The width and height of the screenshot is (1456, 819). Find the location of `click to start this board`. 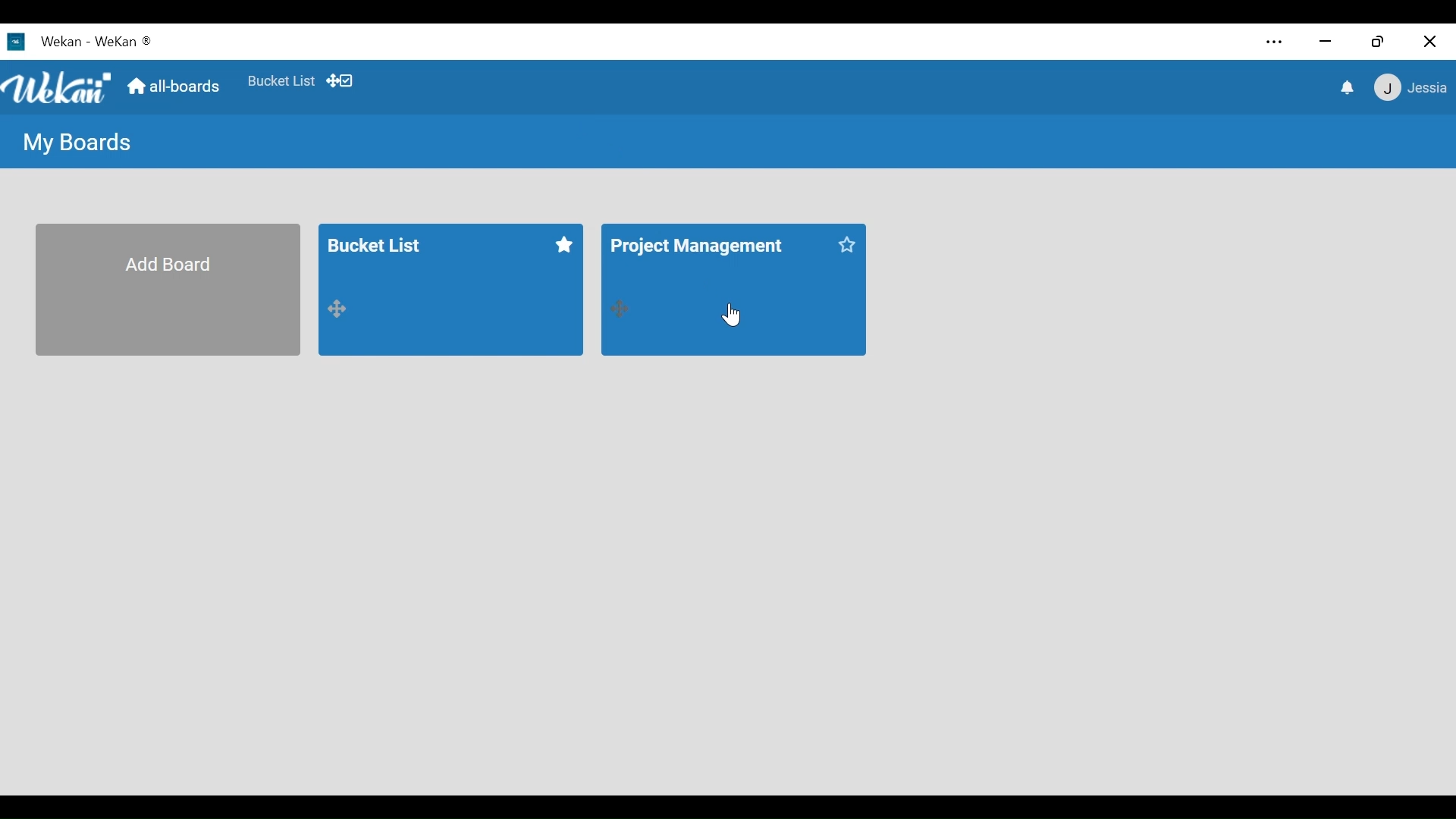

click to start this board is located at coordinates (852, 244).